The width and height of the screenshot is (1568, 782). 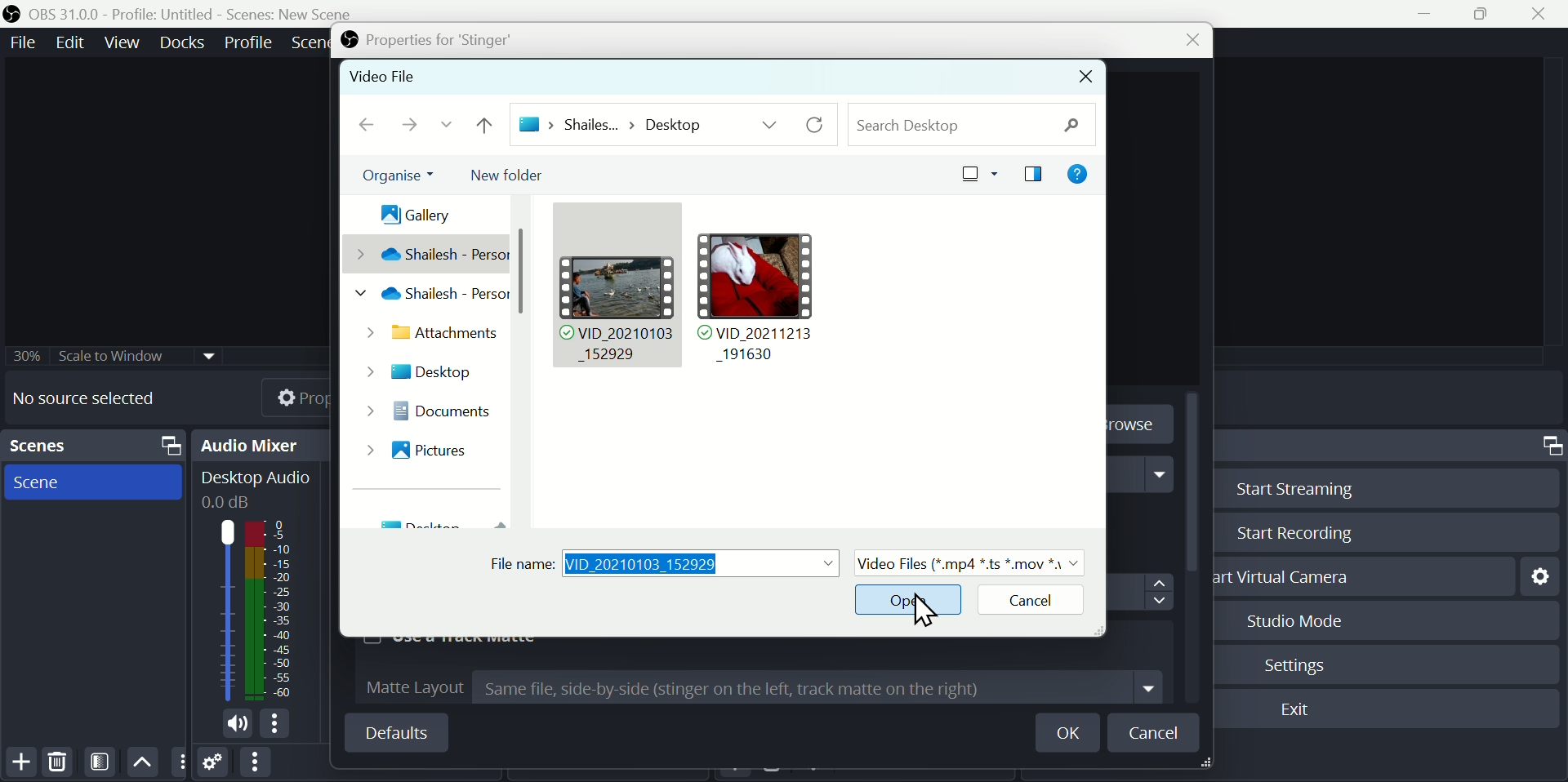 What do you see at coordinates (912, 599) in the screenshot?
I see `Cursor on OK` at bounding box center [912, 599].